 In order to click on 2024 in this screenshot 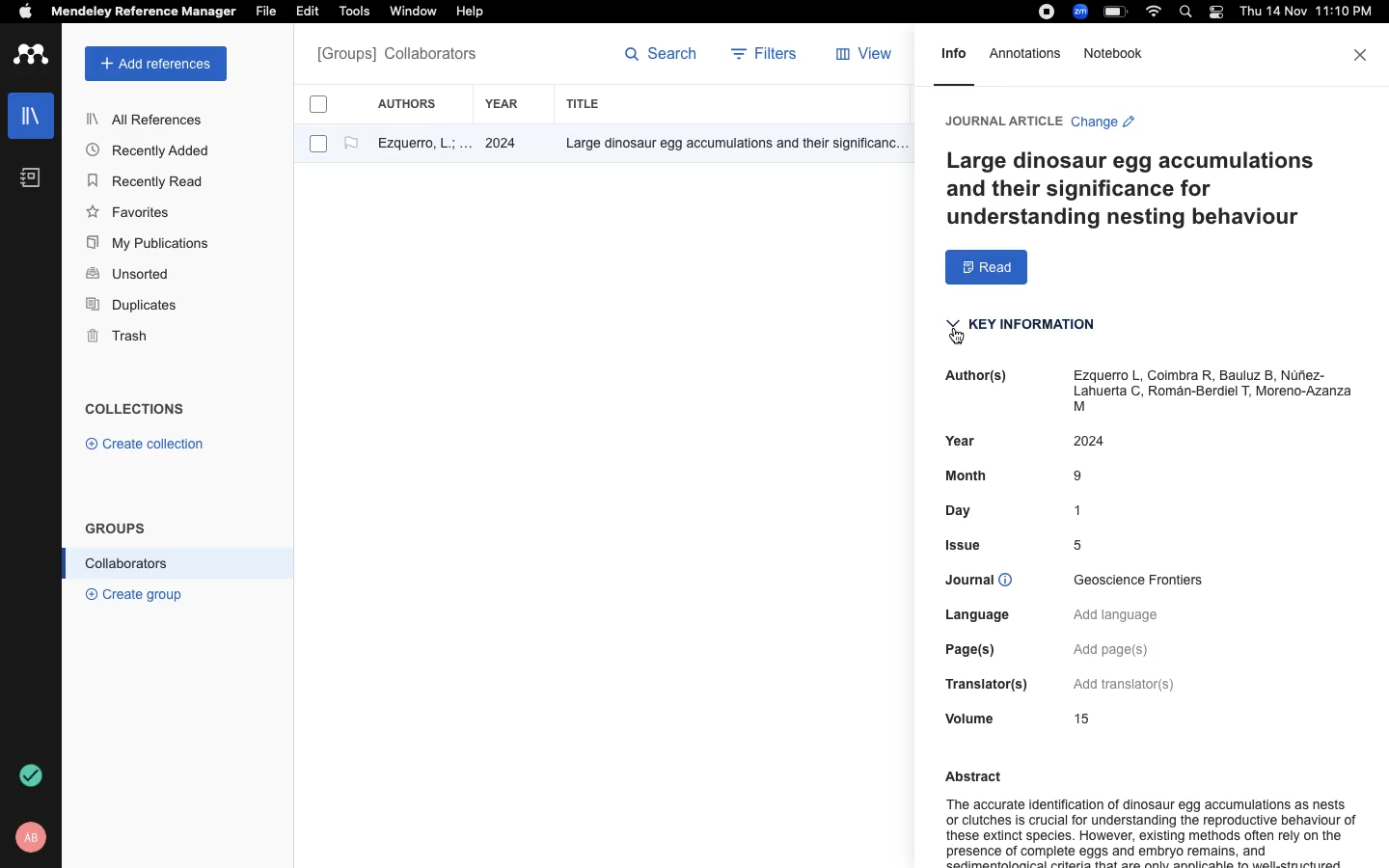, I will do `click(504, 145)`.